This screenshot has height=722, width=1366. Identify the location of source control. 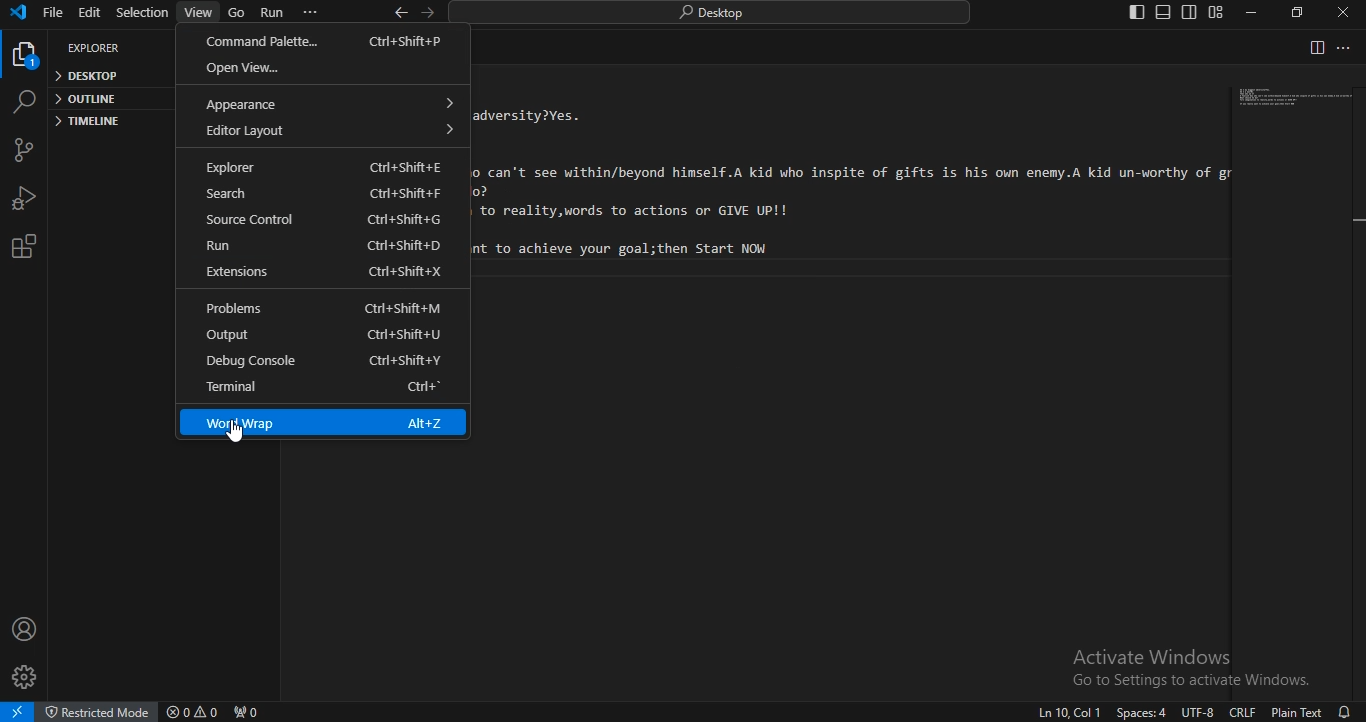
(22, 149).